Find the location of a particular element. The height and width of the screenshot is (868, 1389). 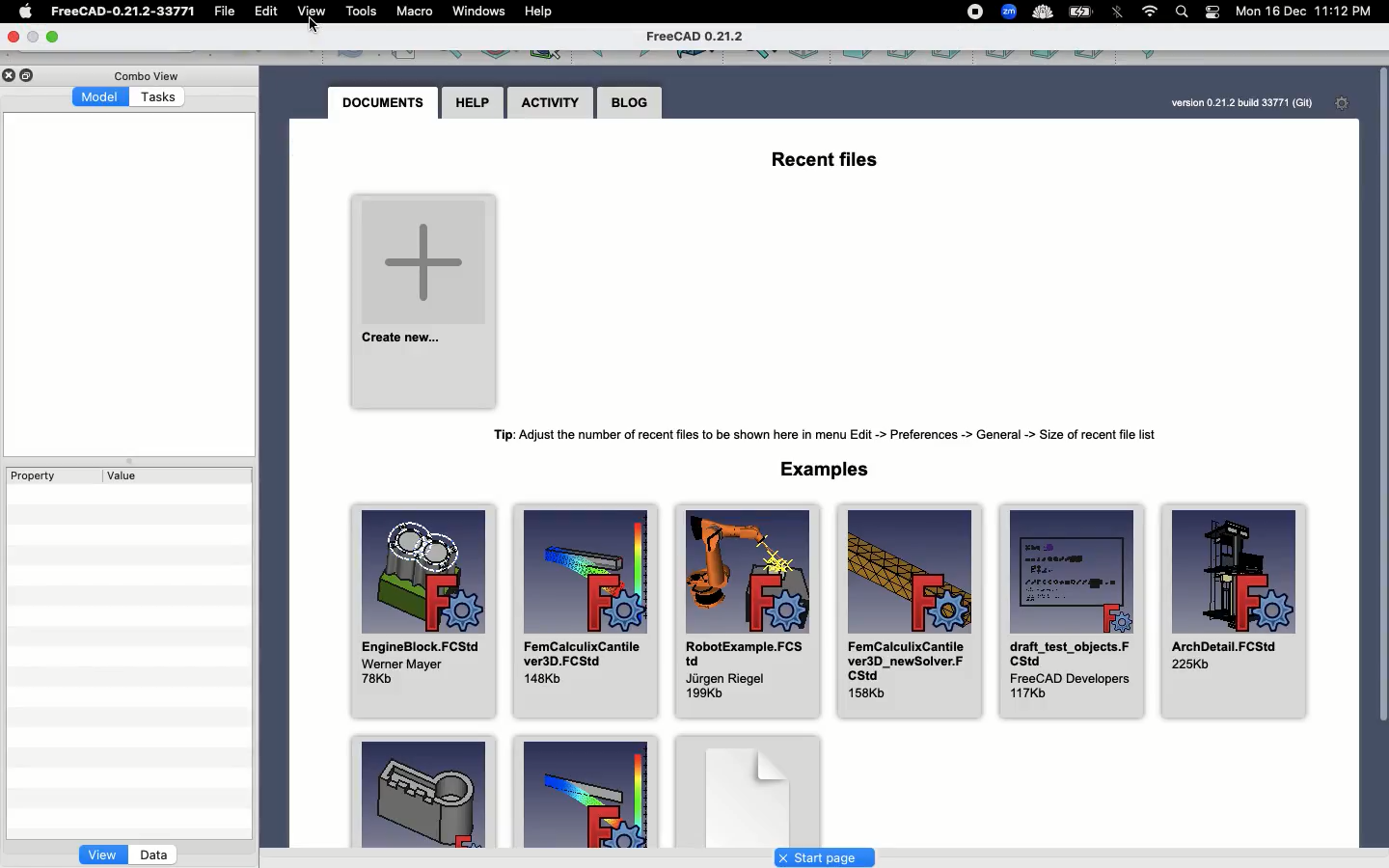

EngineBlock.FCStd Werner Mayer 78Kb is located at coordinates (425, 609).